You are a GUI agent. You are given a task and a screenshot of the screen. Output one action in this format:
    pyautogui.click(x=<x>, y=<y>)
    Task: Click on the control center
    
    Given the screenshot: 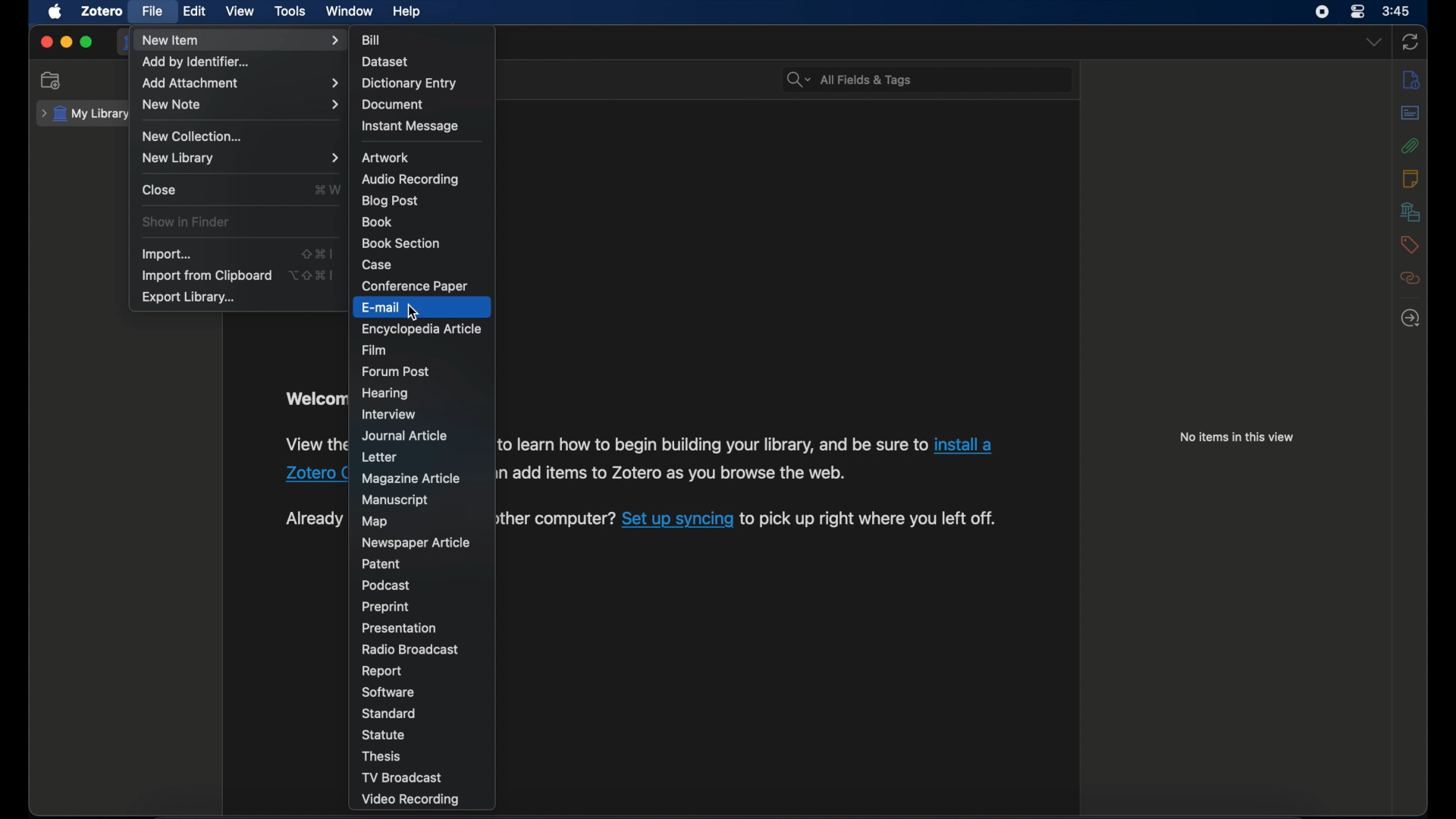 What is the action you would take?
    pyautogui.click(x=1357, y=12)
    